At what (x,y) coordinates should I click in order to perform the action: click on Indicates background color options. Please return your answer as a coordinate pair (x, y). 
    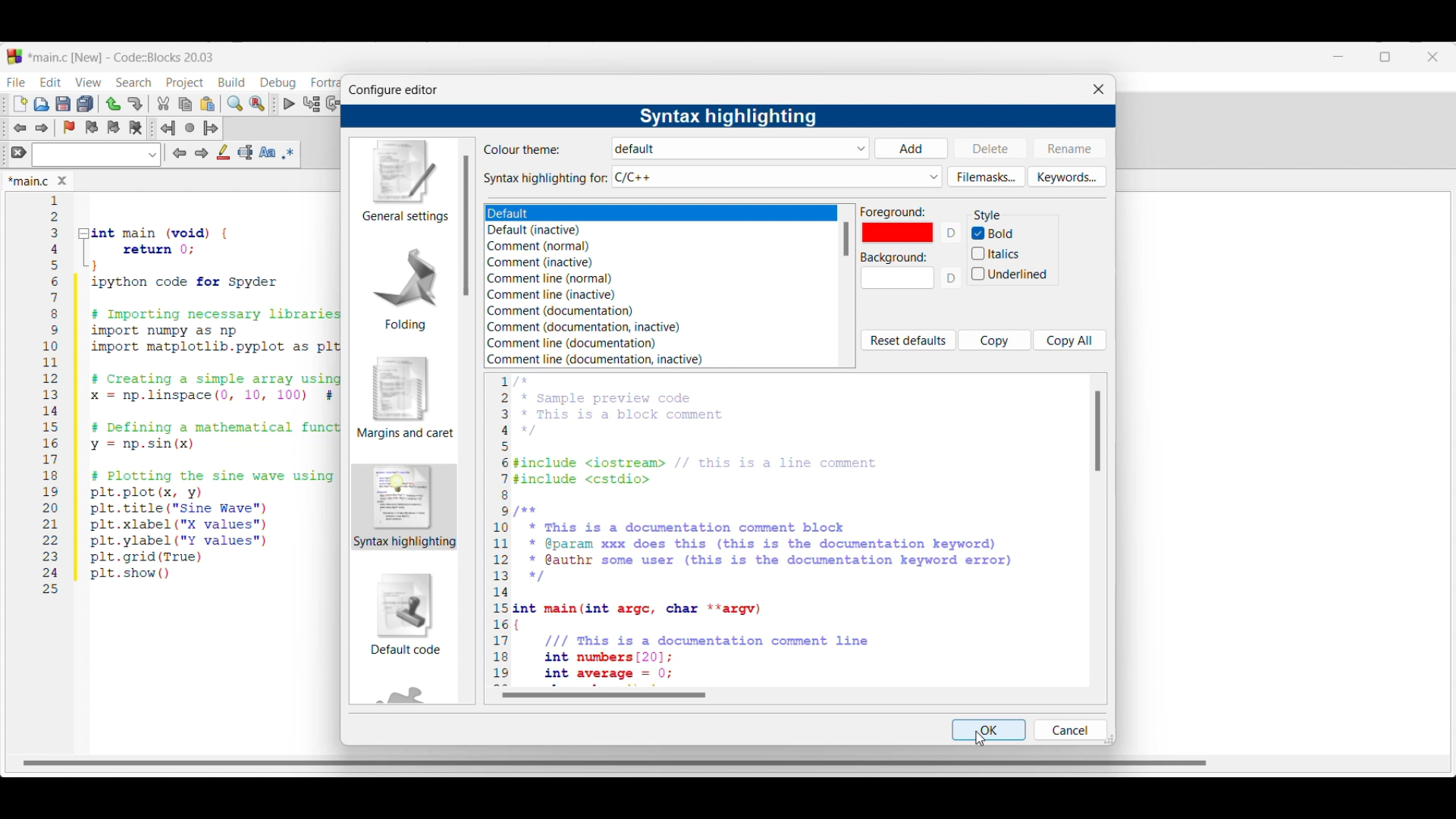
    Looking at the image, I should click on (893, 258).